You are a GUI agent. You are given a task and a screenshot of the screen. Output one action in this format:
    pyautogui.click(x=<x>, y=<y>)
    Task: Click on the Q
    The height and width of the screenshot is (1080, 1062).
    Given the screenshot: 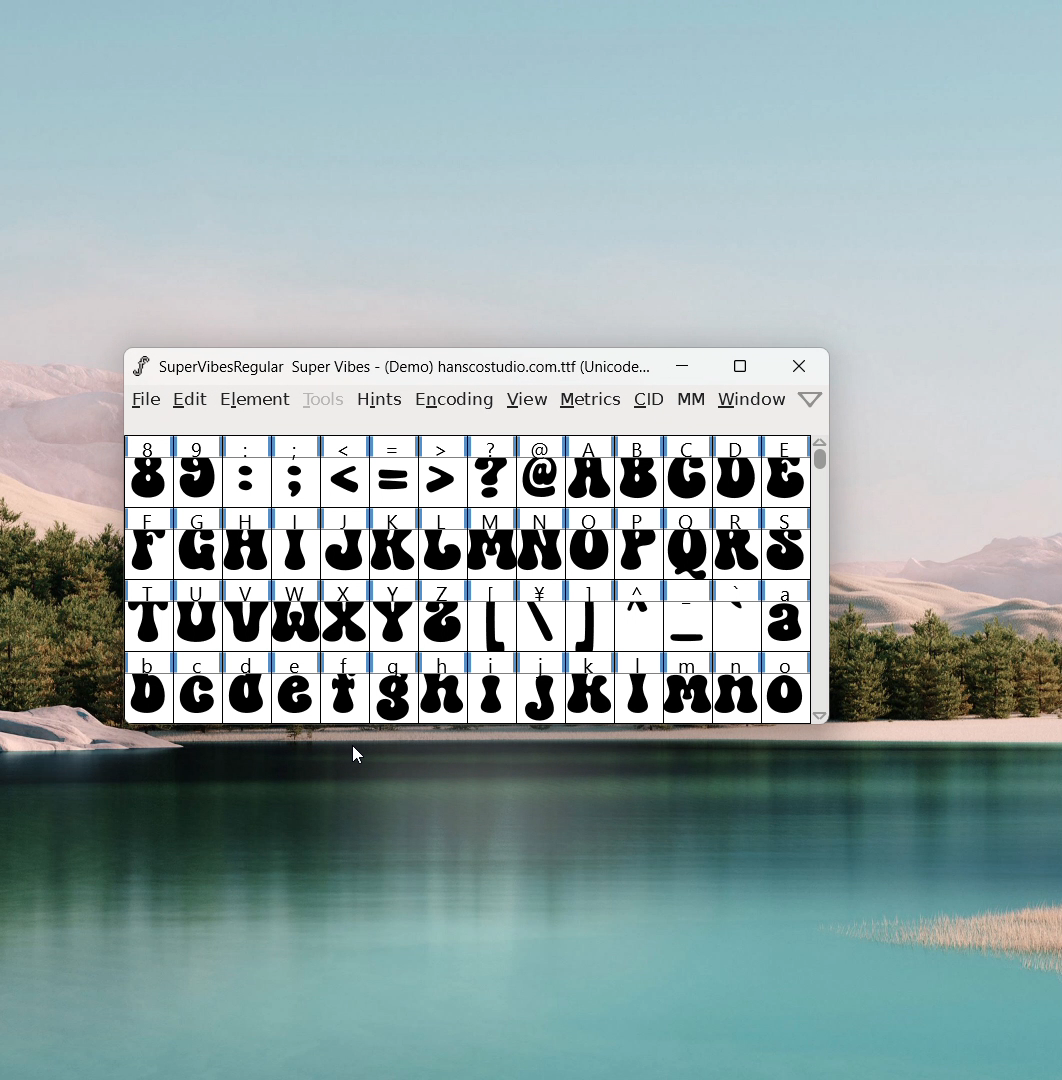 What is the action you would take?
    pyautogui.click(x=689, y=544)
    